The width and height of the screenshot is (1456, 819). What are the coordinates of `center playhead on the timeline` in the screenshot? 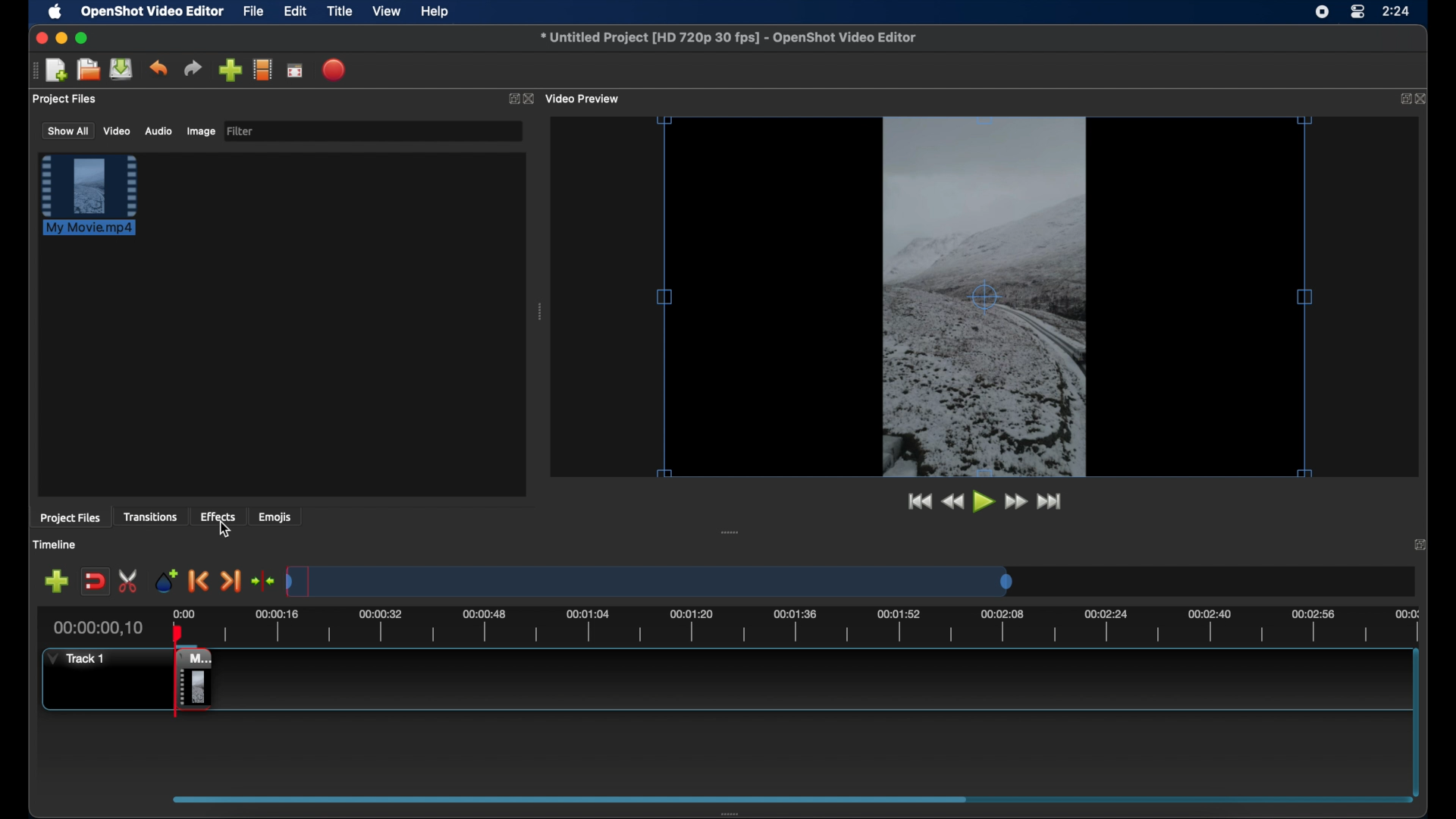 It's located at (264, 580).